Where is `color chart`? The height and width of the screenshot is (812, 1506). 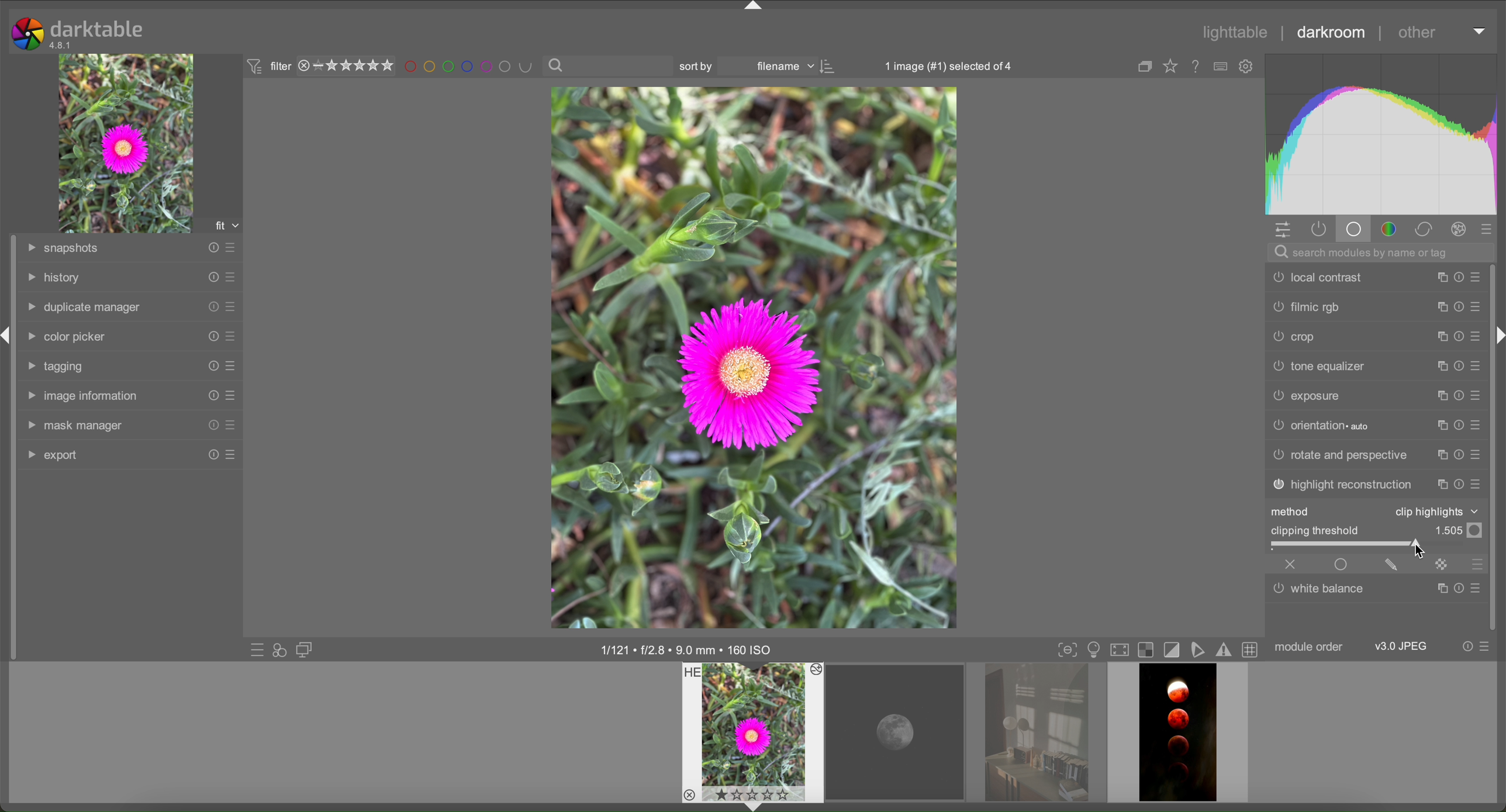 color chart is located at coordinates (1383, 133).